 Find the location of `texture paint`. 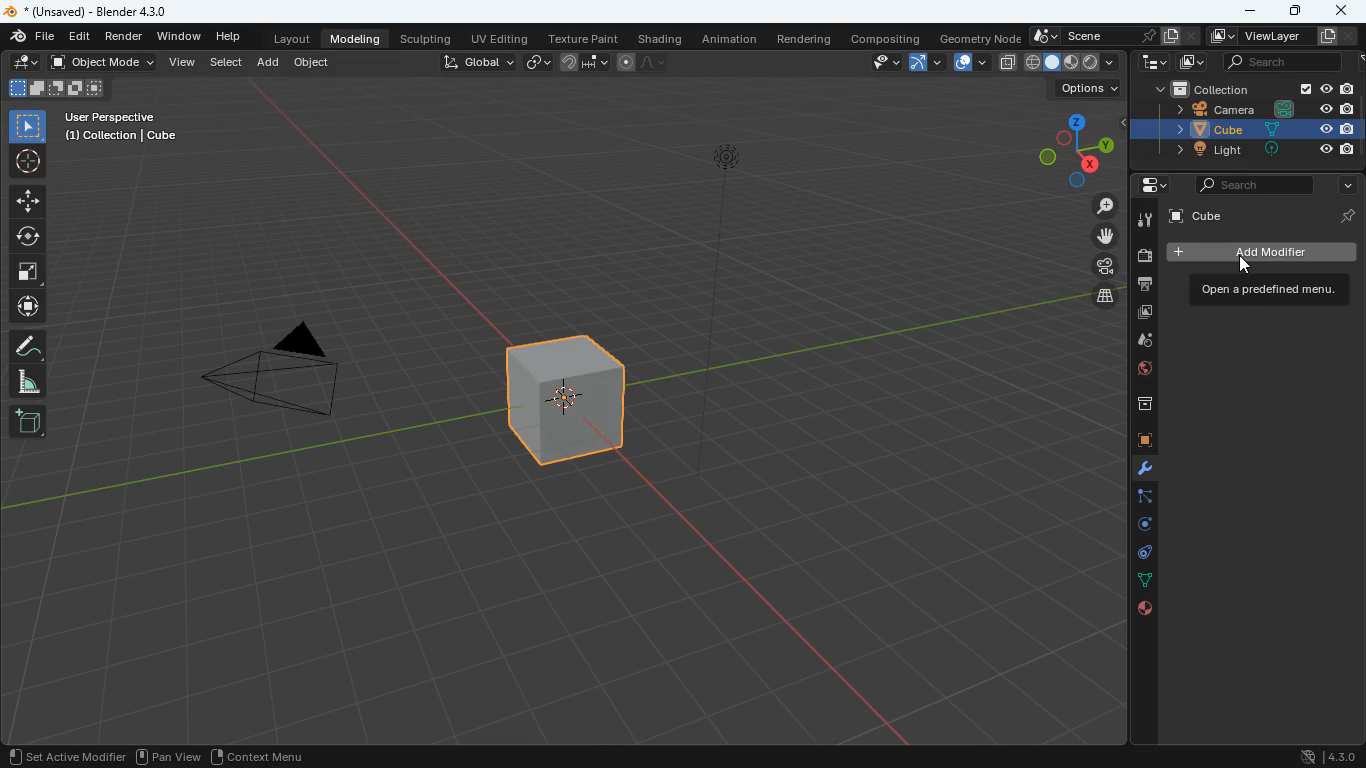

texture paint is located at coordinates (581, 36).